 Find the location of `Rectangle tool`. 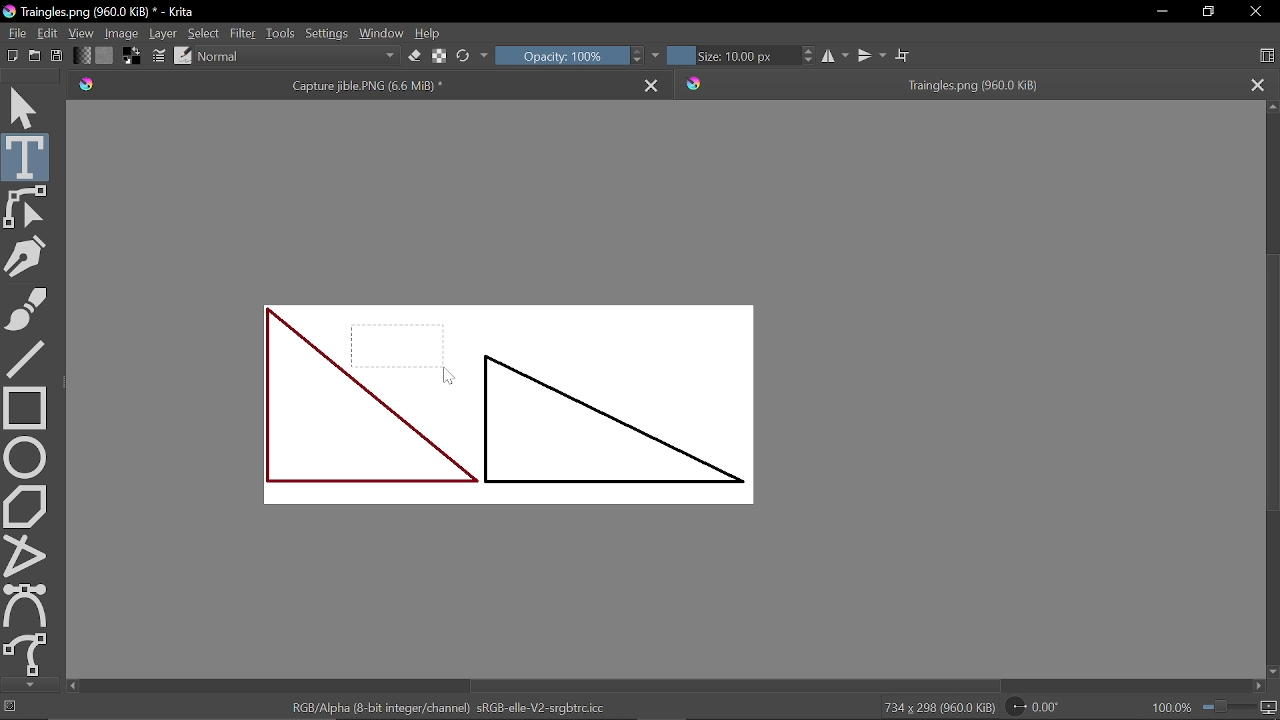

Rectangle tool is located at coordinates (25, 406).